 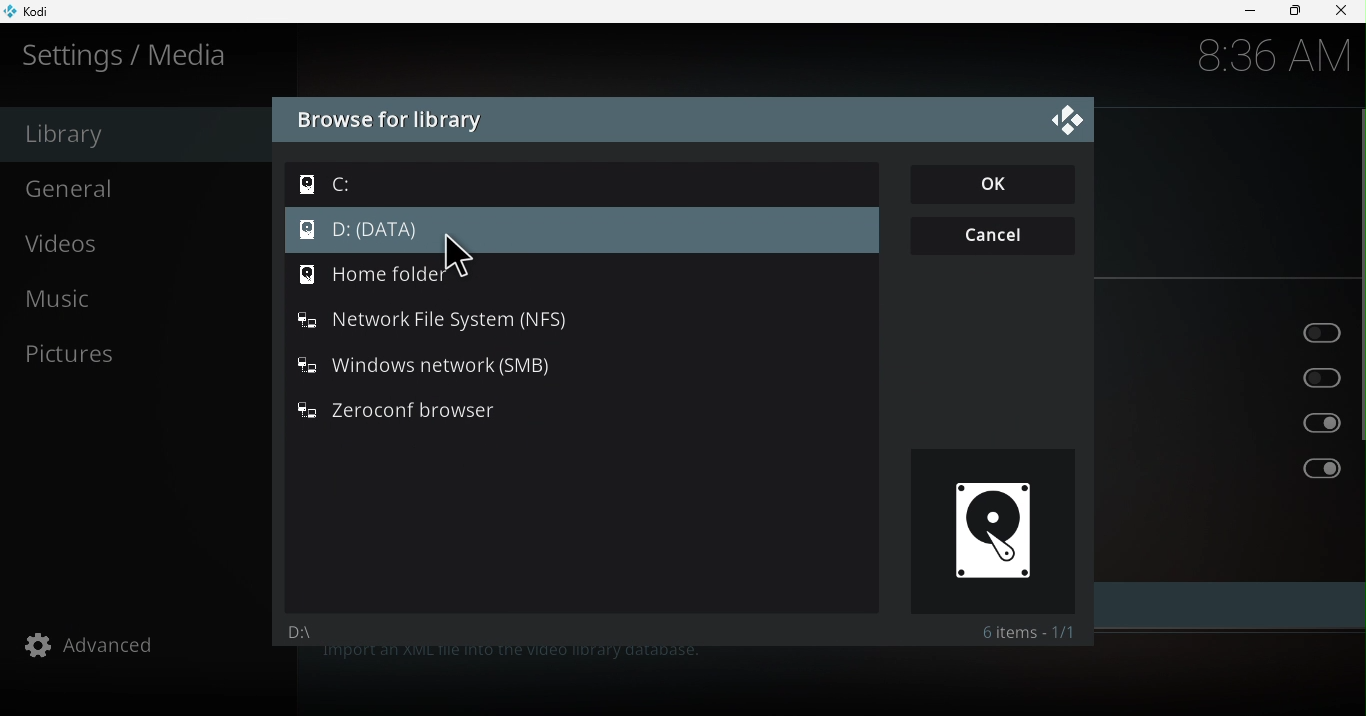 I want to click on Library, so click(x=133, y=134).